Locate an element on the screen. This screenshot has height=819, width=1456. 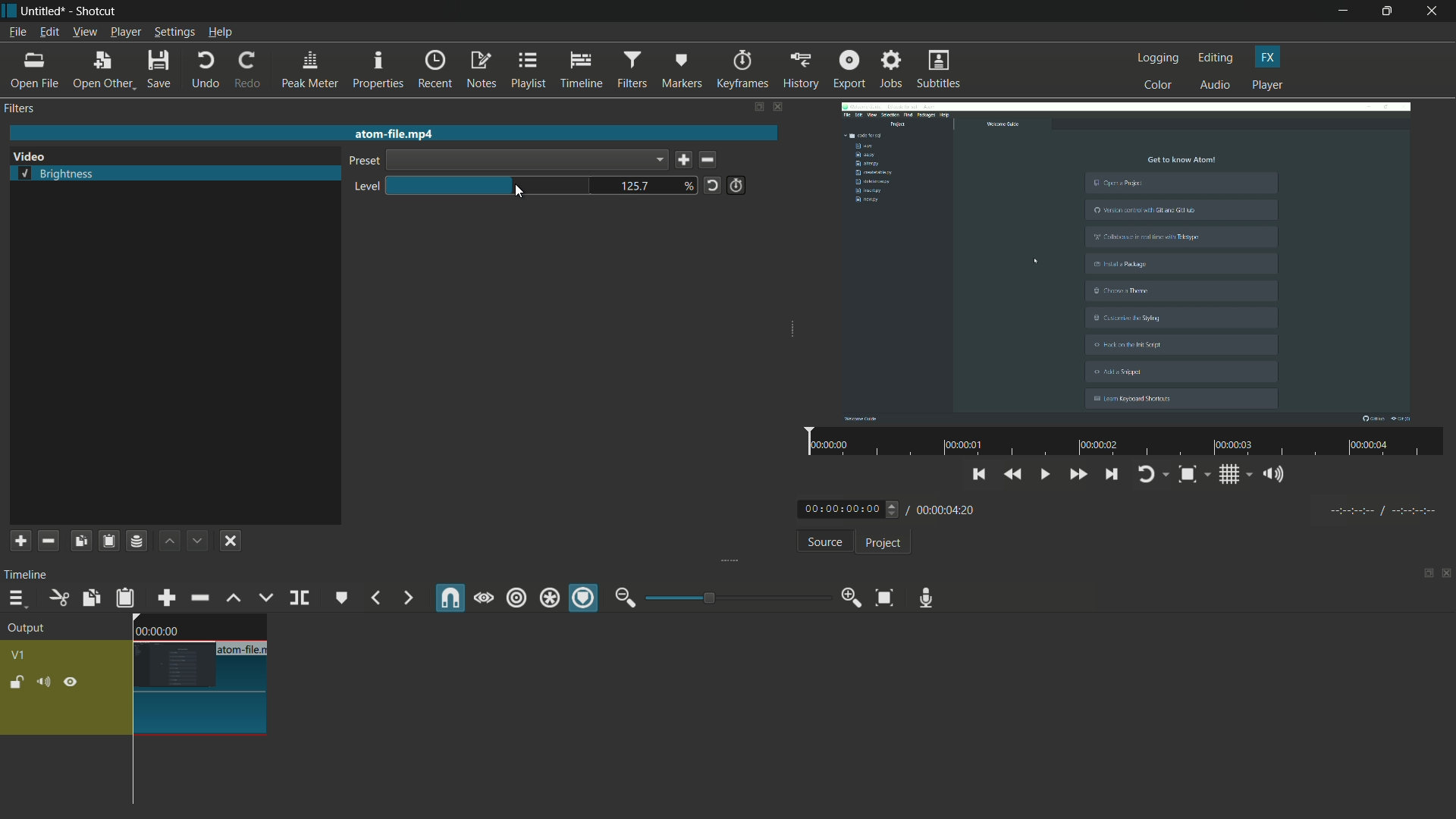
split at playhead is located at coordinates (301, 599).